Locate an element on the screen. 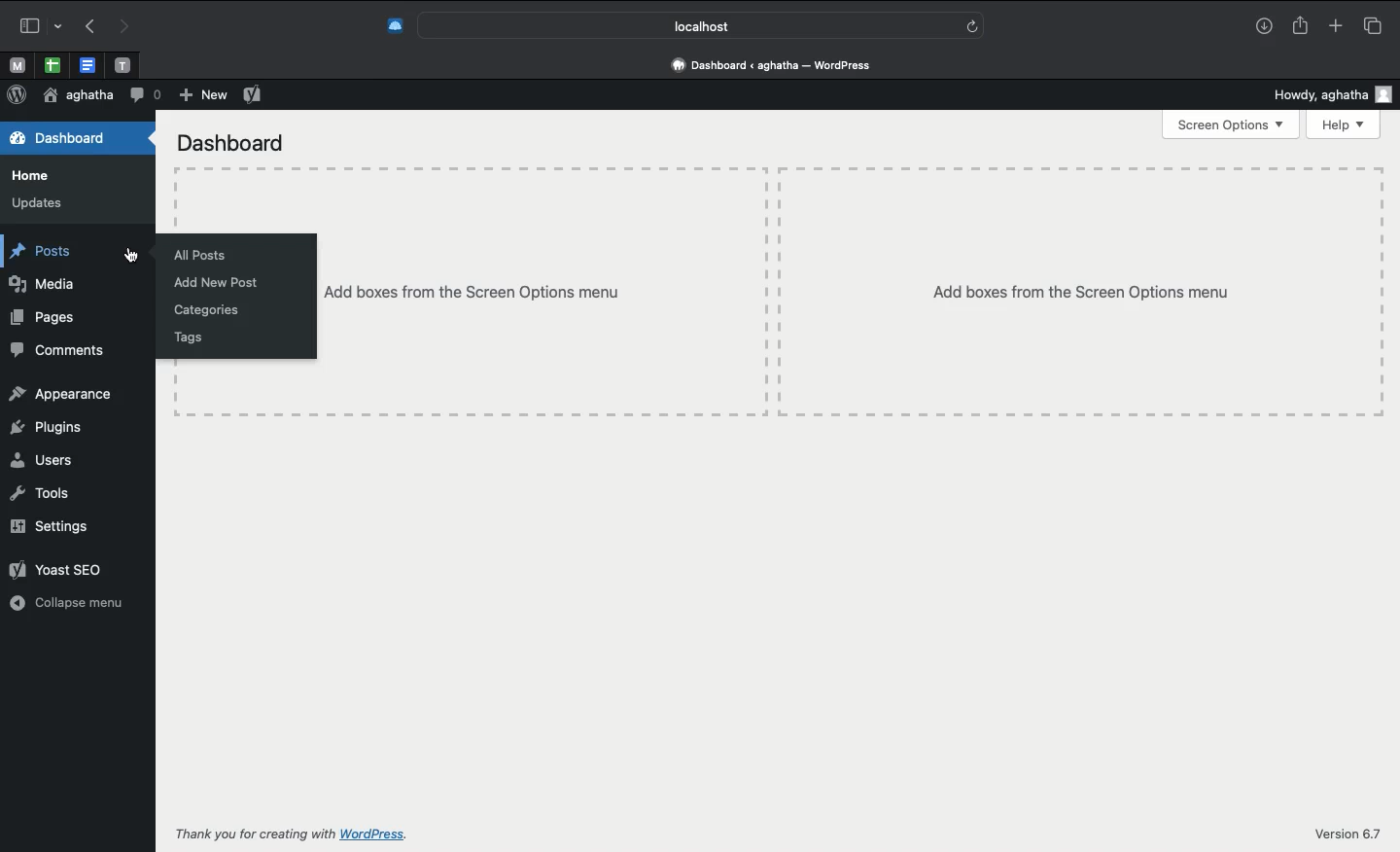 The image size is (1400, 852). Sidebar is located at coordinates (38, 23).